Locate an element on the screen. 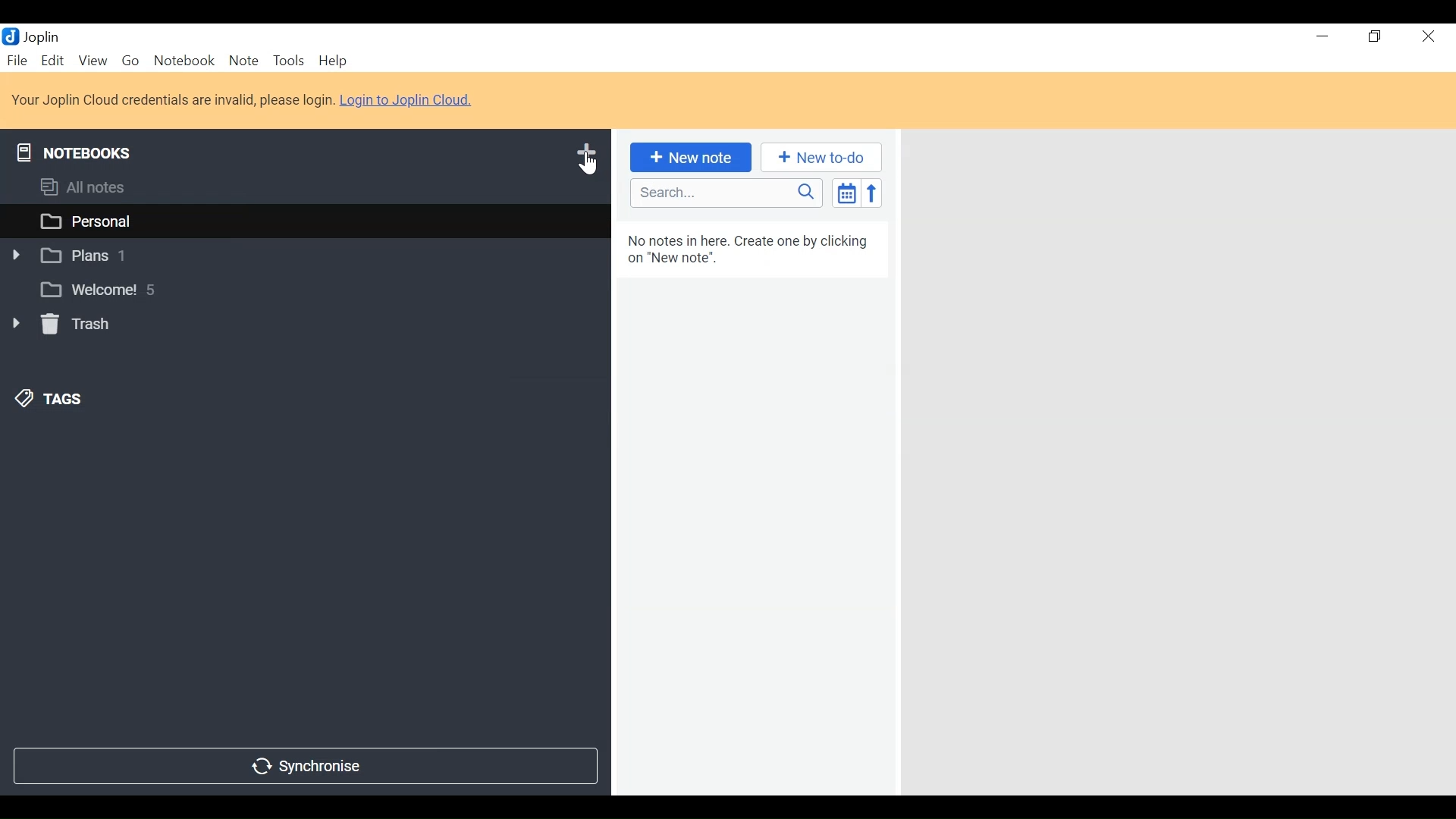  close is located at coordinates (1428, 37).